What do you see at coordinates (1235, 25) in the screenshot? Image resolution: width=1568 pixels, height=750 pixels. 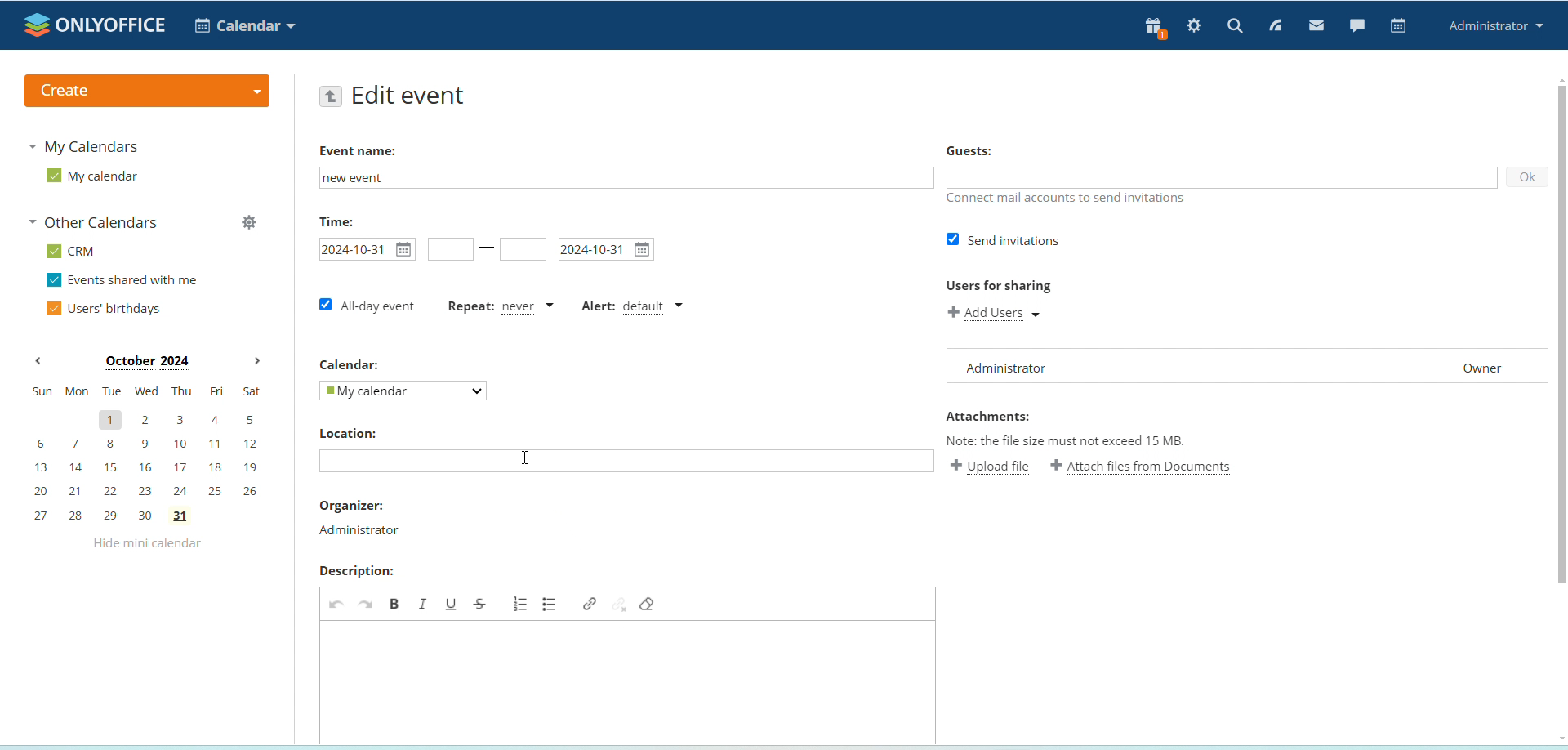 I see `search` at bounding box center [1235, 25].